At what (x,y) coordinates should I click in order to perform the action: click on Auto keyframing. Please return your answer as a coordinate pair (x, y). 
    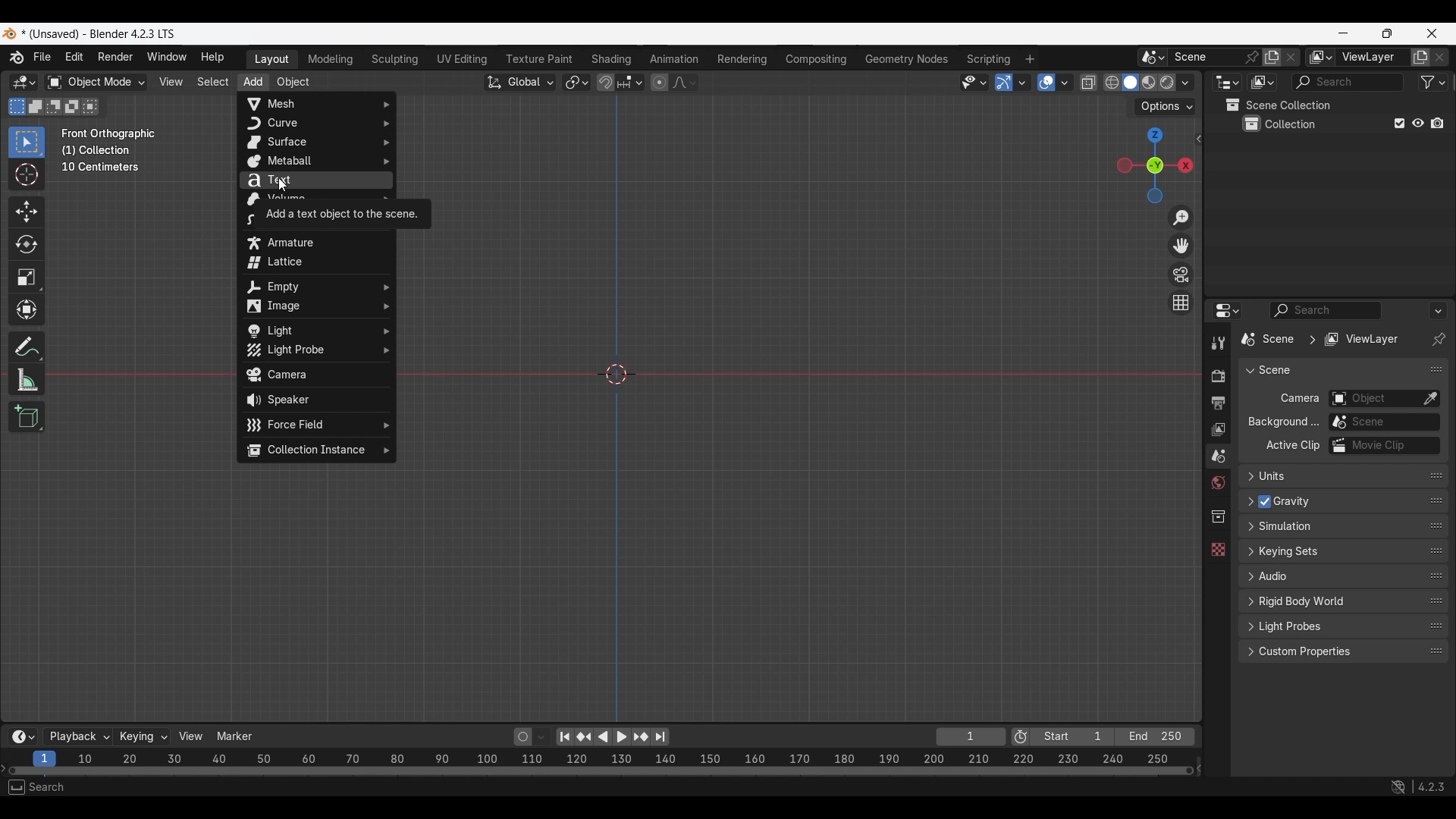
    Looking at the image, I should click on (541, 737).